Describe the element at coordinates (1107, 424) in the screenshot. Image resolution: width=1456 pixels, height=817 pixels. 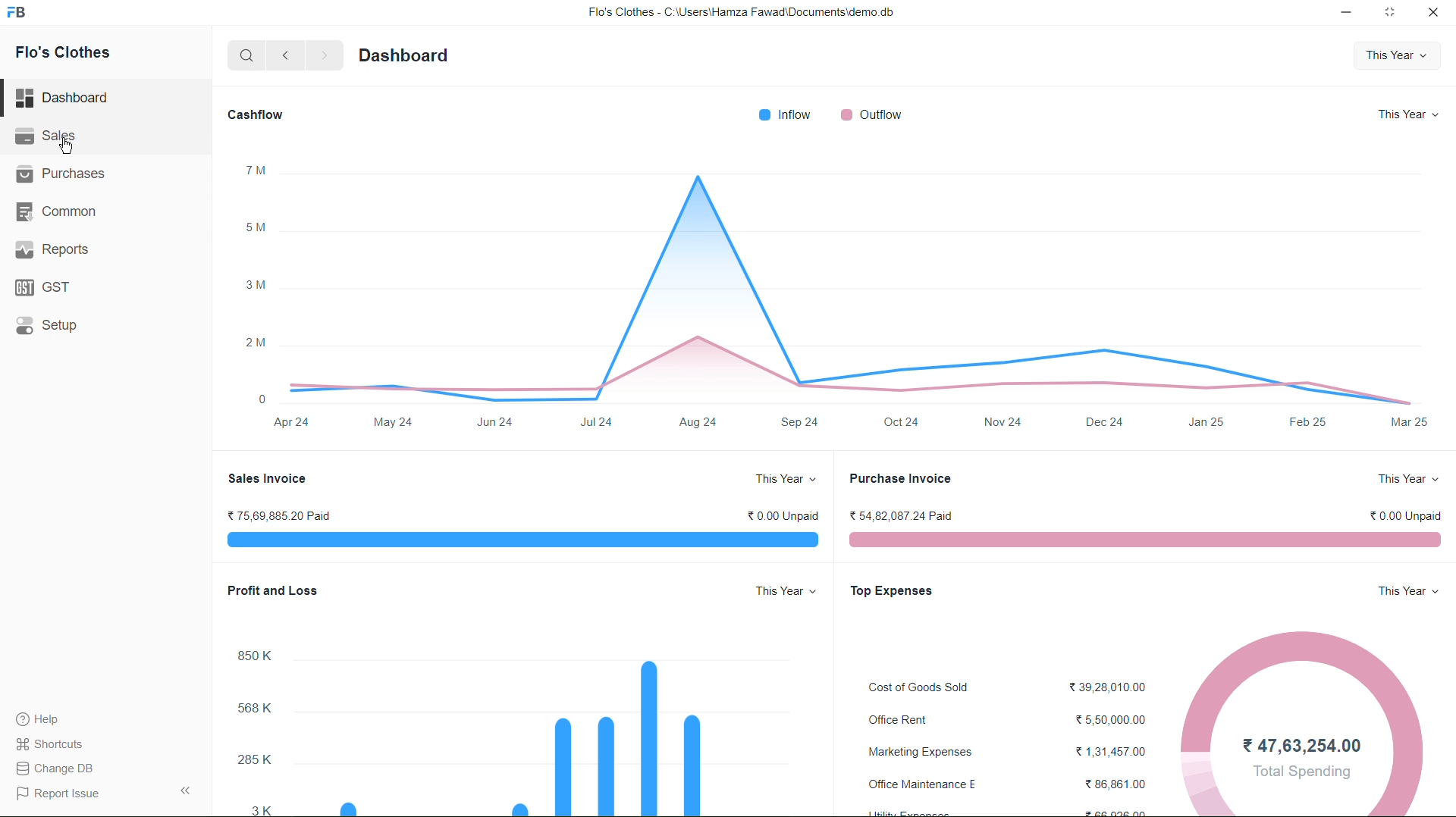
I see `Dec 24` at that location.